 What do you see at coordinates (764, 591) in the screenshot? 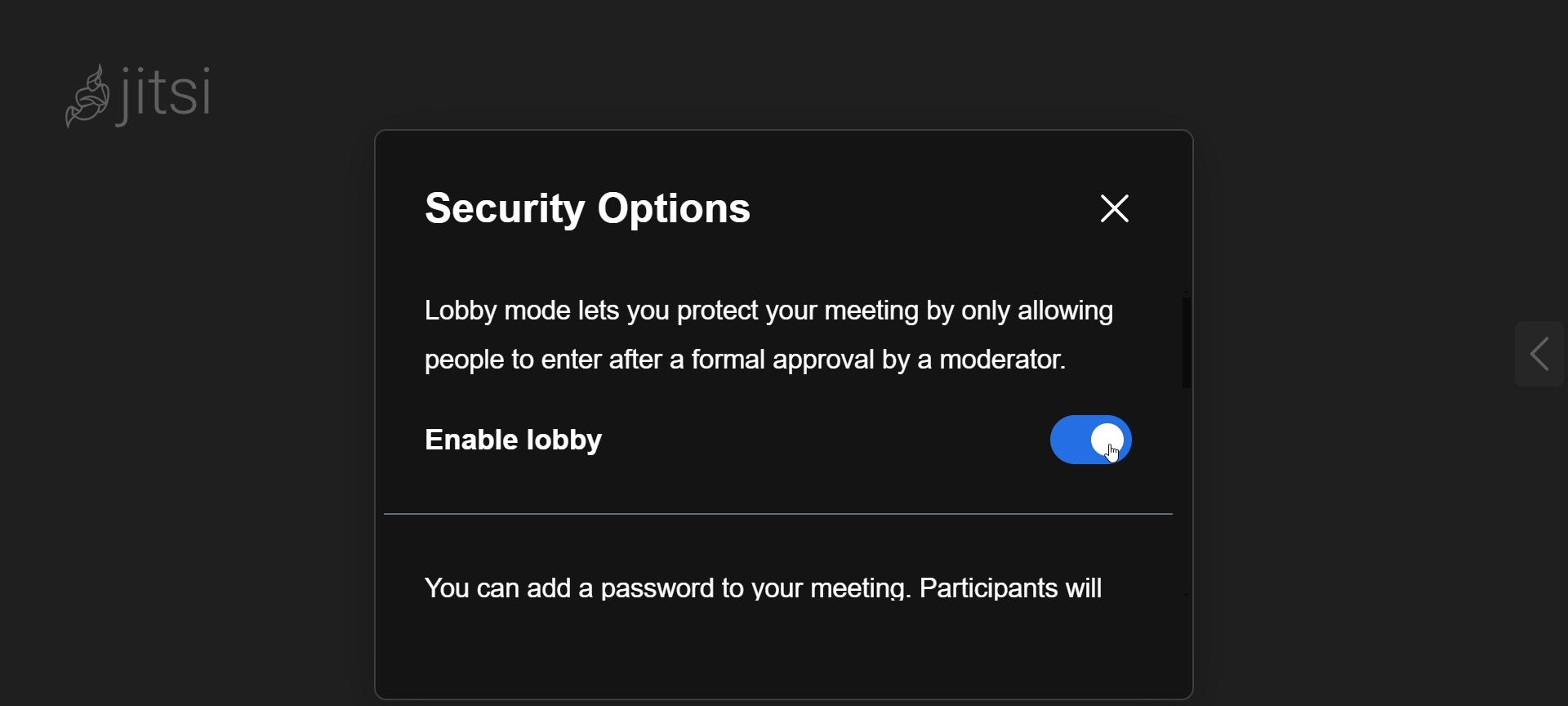
I see `You can add a password to your meeting. Participants will` at bounding box center [764, 591].